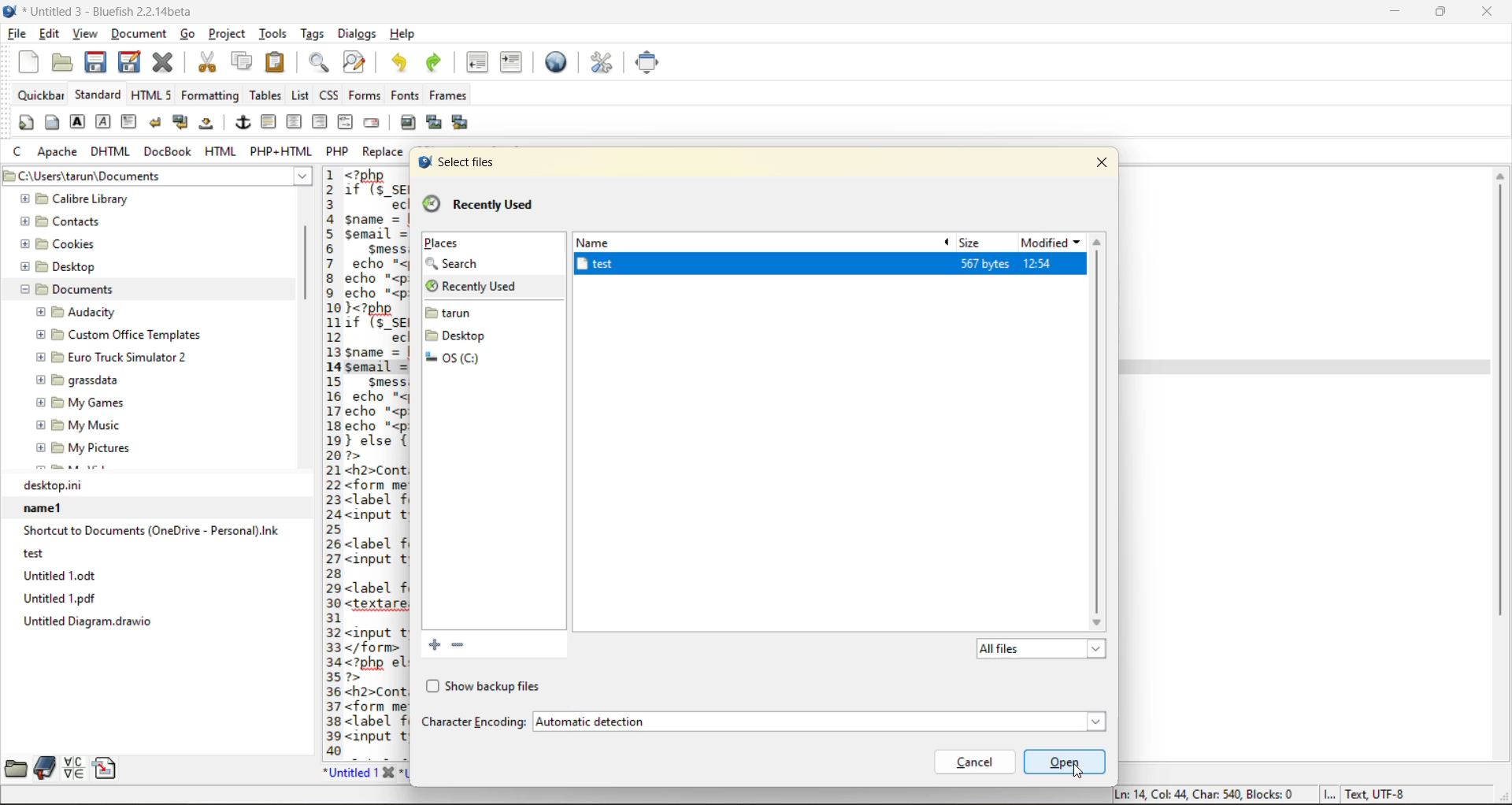 The width and height of the screenshot is (1512, 805). What do you see at coordinates (1442, 14) in the screenshot?
I see `maximize` at bounding box center [1442, 14].